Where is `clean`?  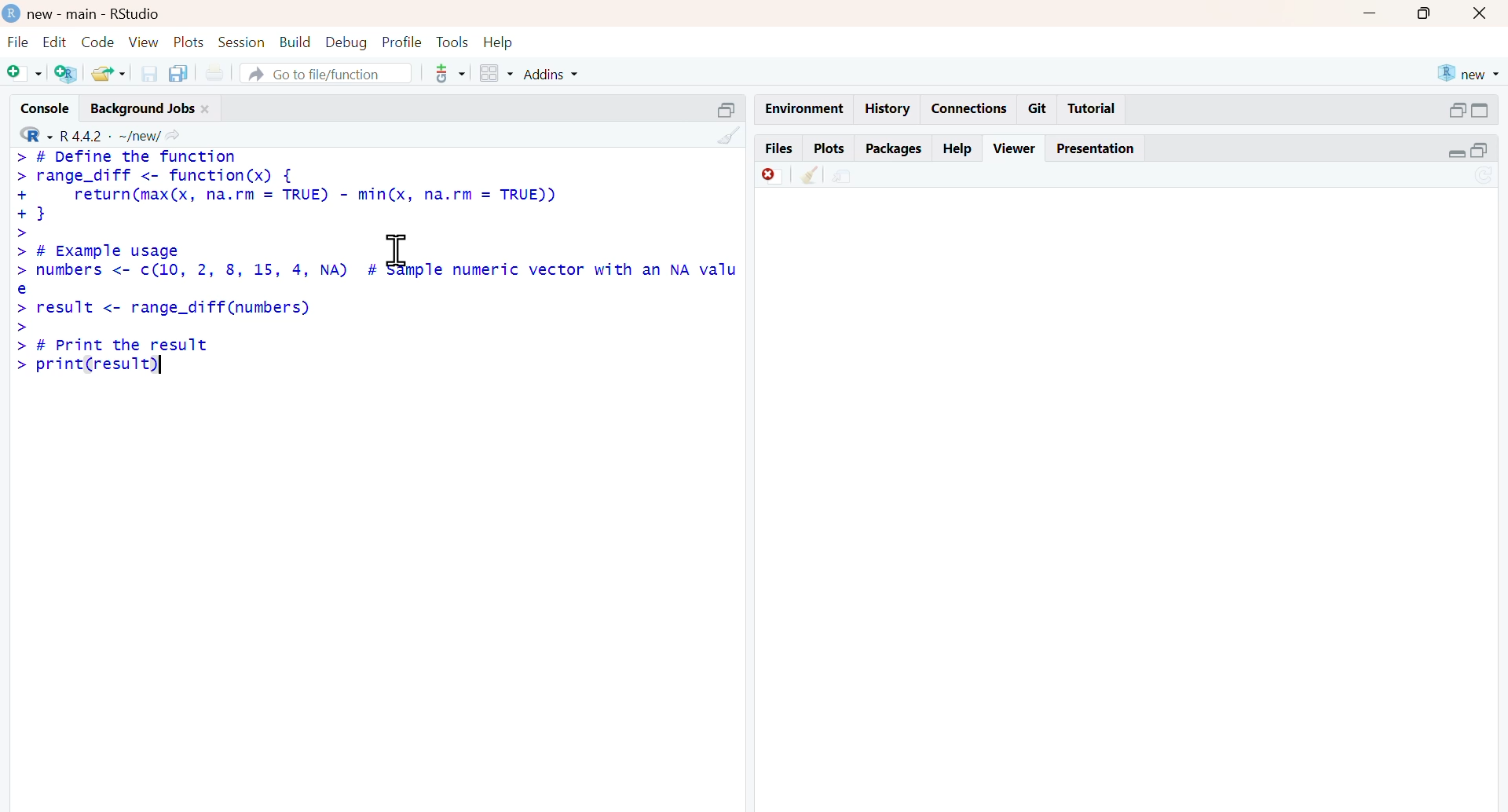 clean is located at coordinates (811, 174).